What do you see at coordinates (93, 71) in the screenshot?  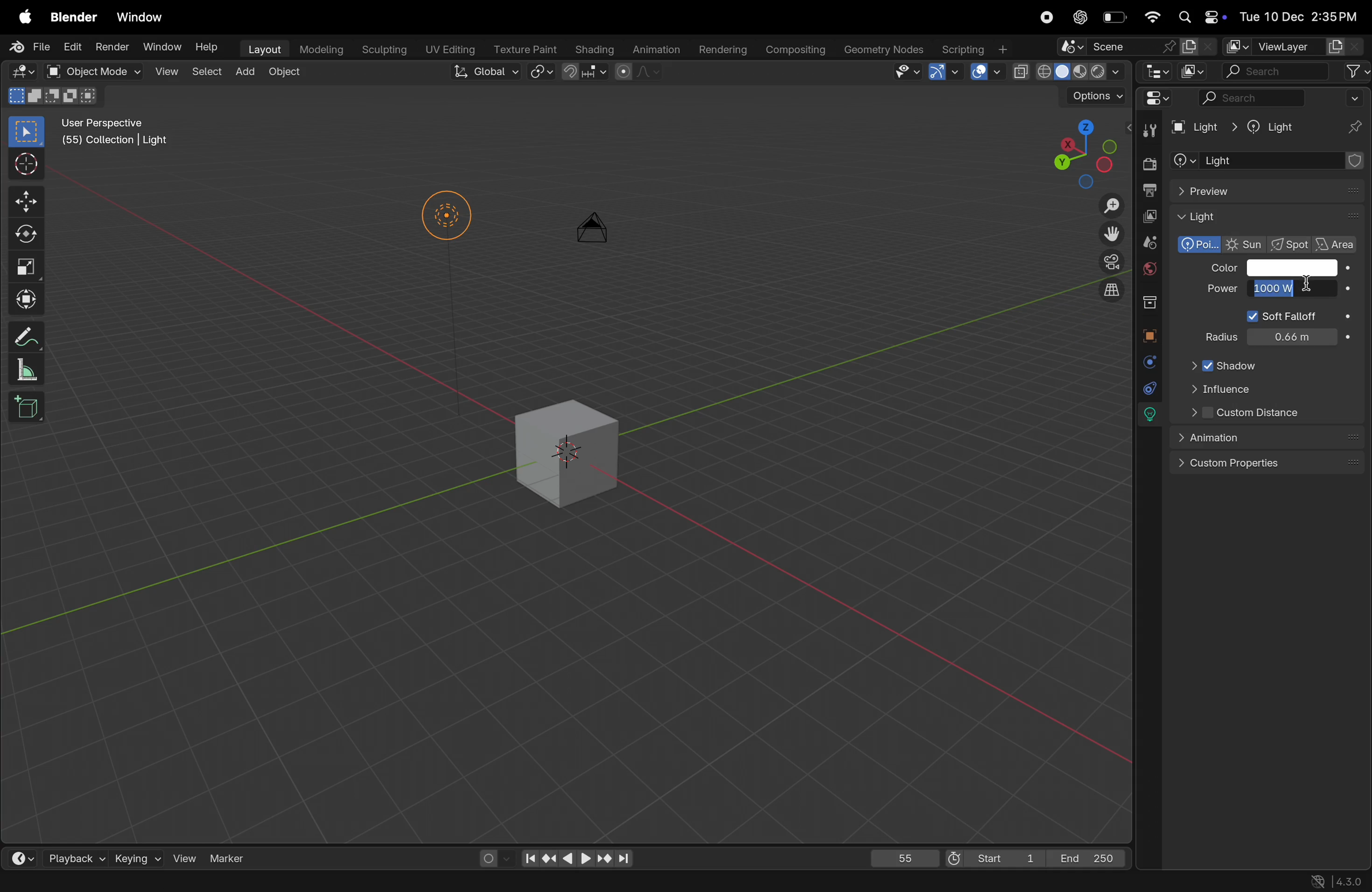 I see `object mode` at bounding box center [93, 71].